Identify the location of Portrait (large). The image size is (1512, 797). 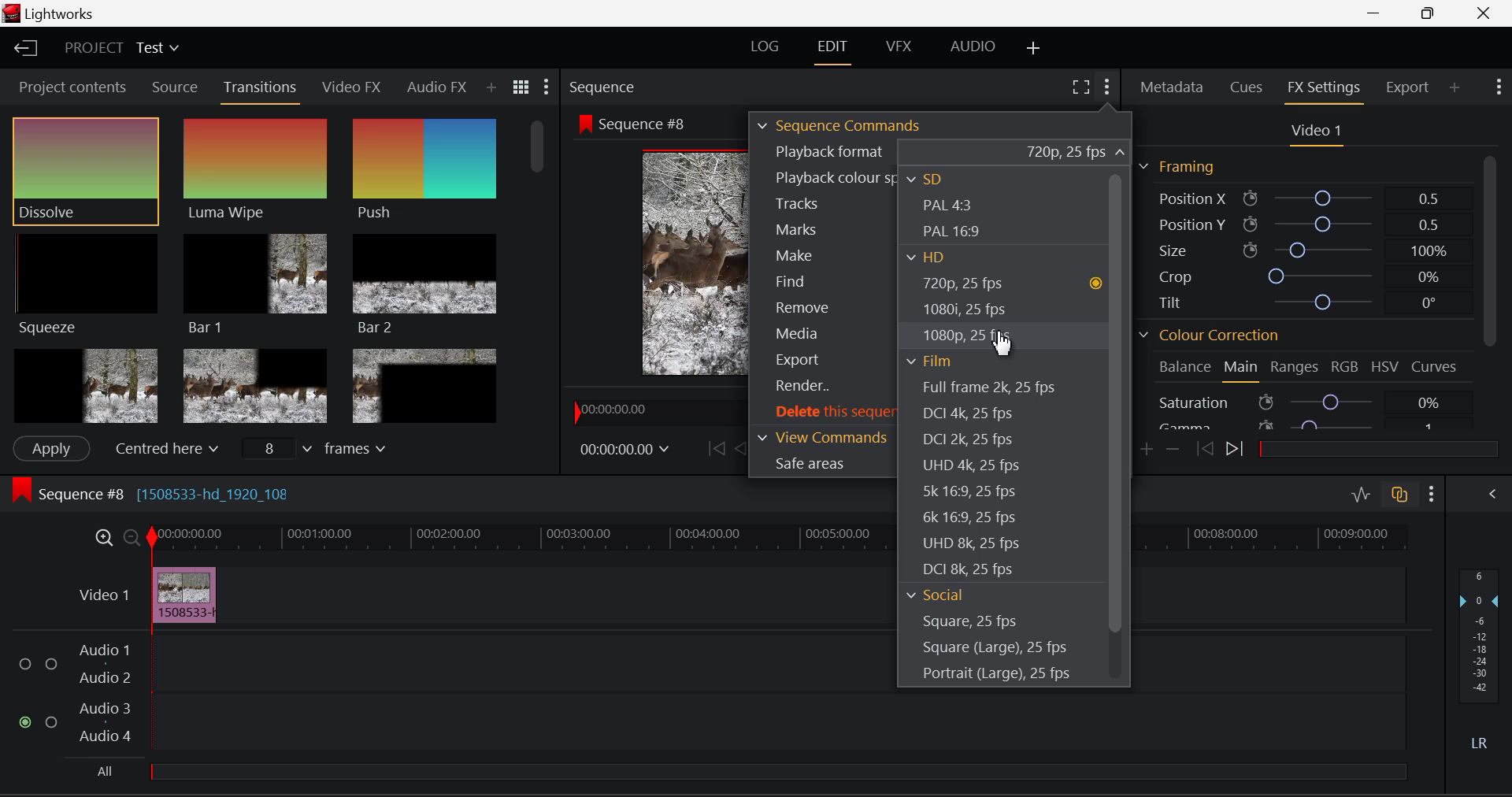
(994, 675).